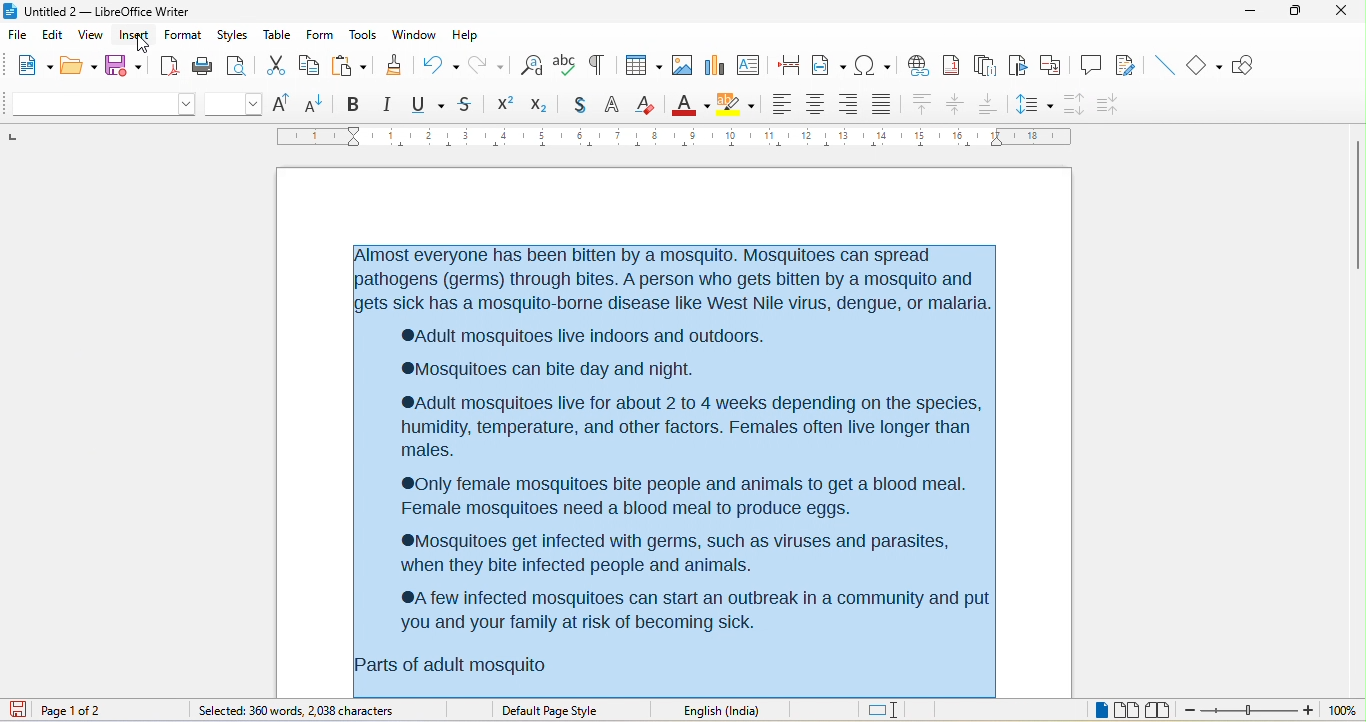 The image size is (1366, 722). Describe the element at coordinates (1017, 68) in the screenshot. I see `bookmark` at that location.